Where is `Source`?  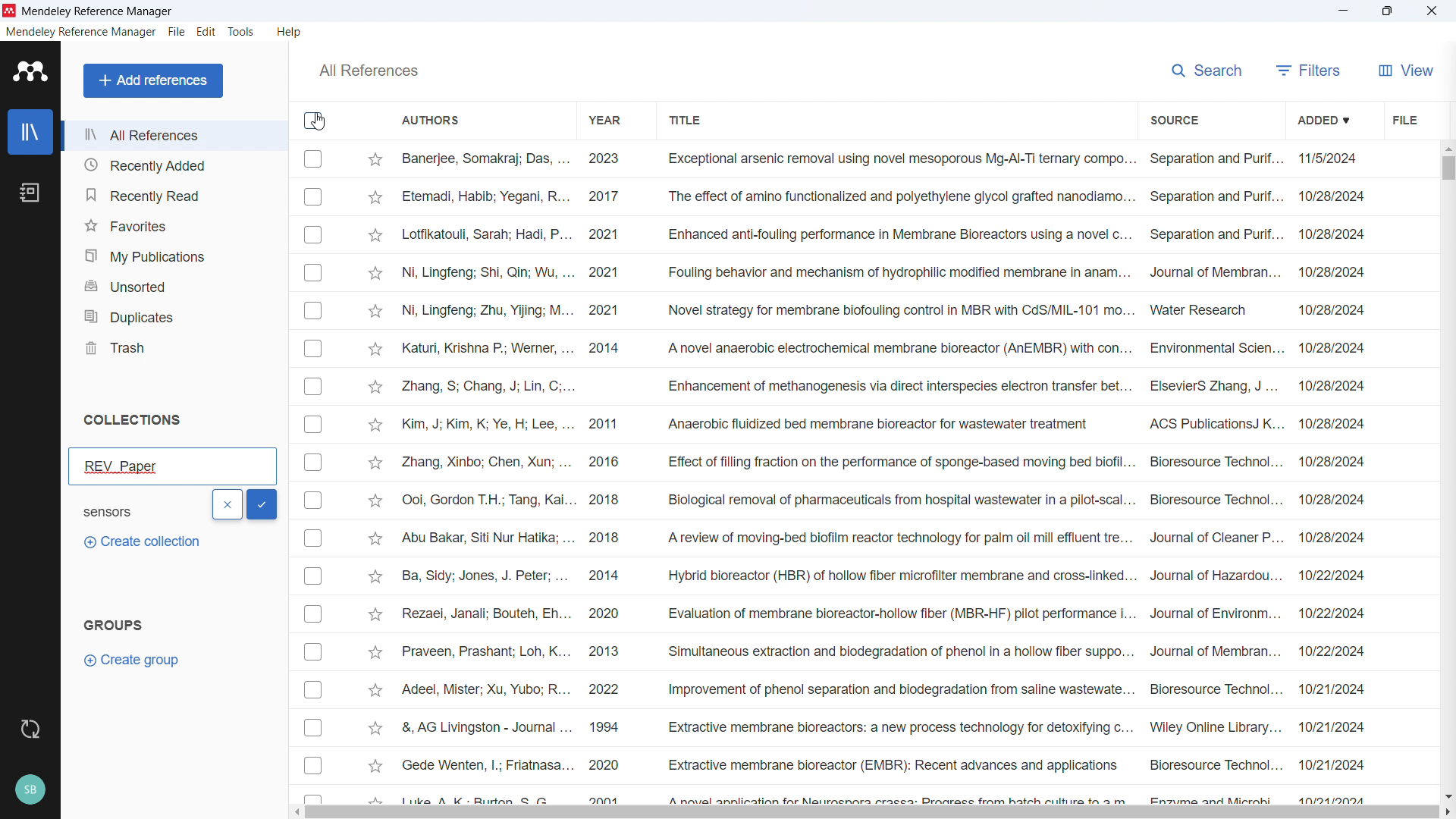
Source is located at coordinates (1175, 118).